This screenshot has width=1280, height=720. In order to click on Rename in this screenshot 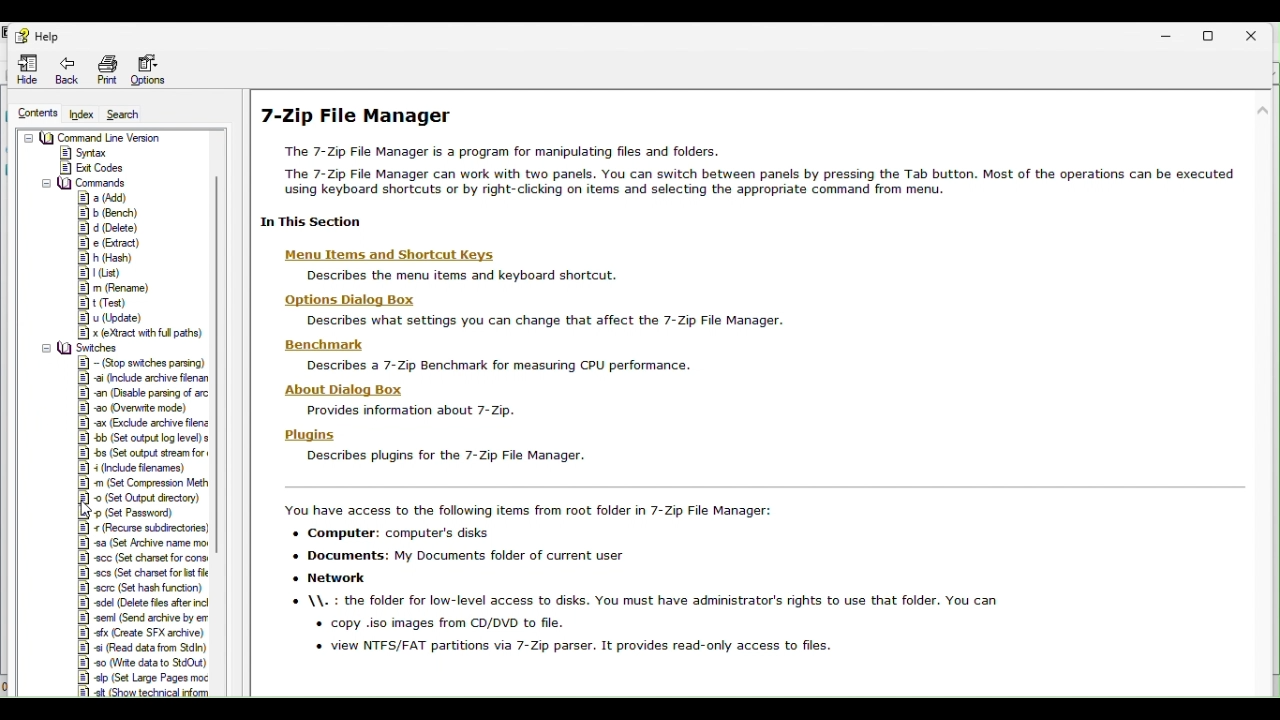, I will do `click(115, 290)`.